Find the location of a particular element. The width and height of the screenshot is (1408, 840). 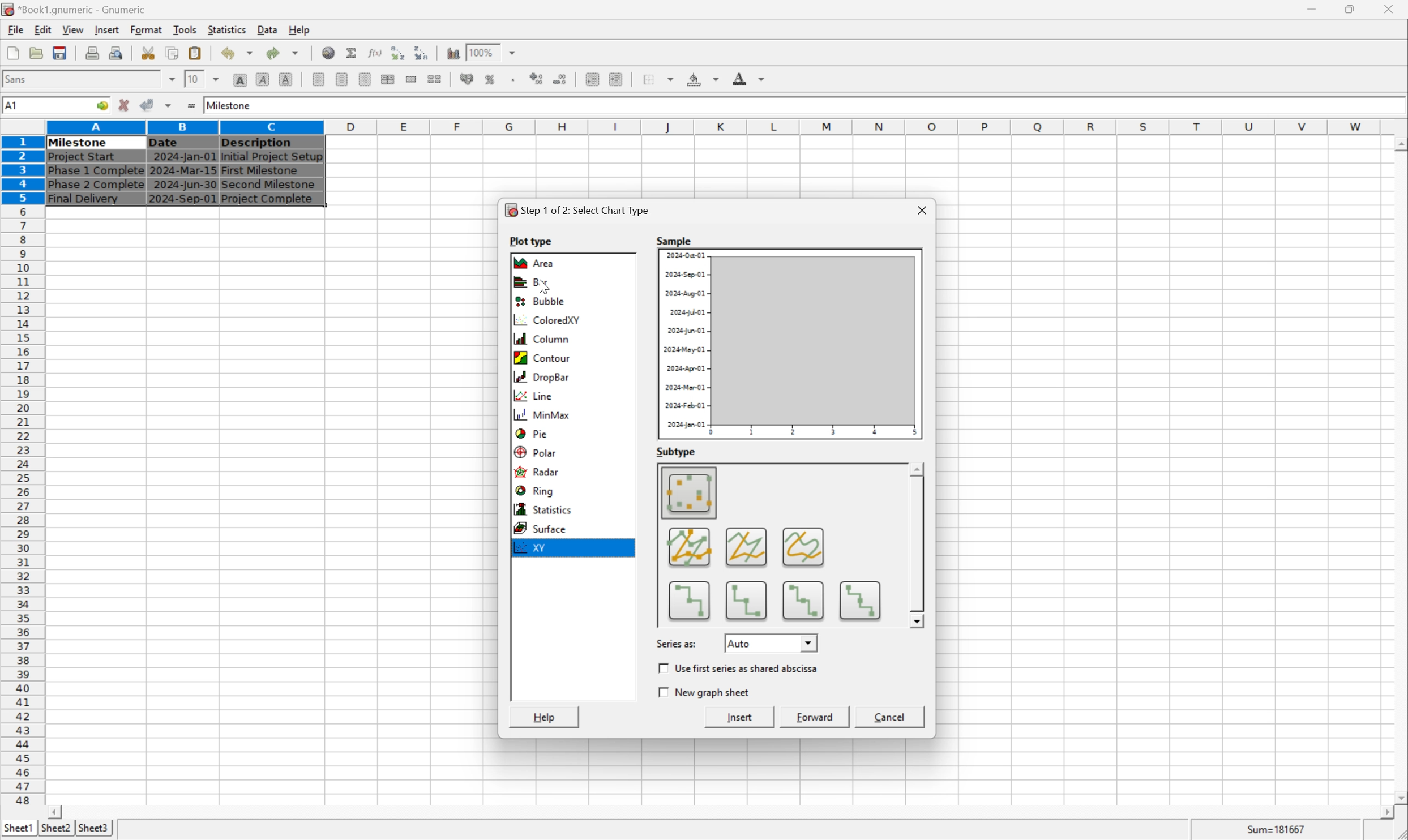

align right is located at coordinates (363, 80).